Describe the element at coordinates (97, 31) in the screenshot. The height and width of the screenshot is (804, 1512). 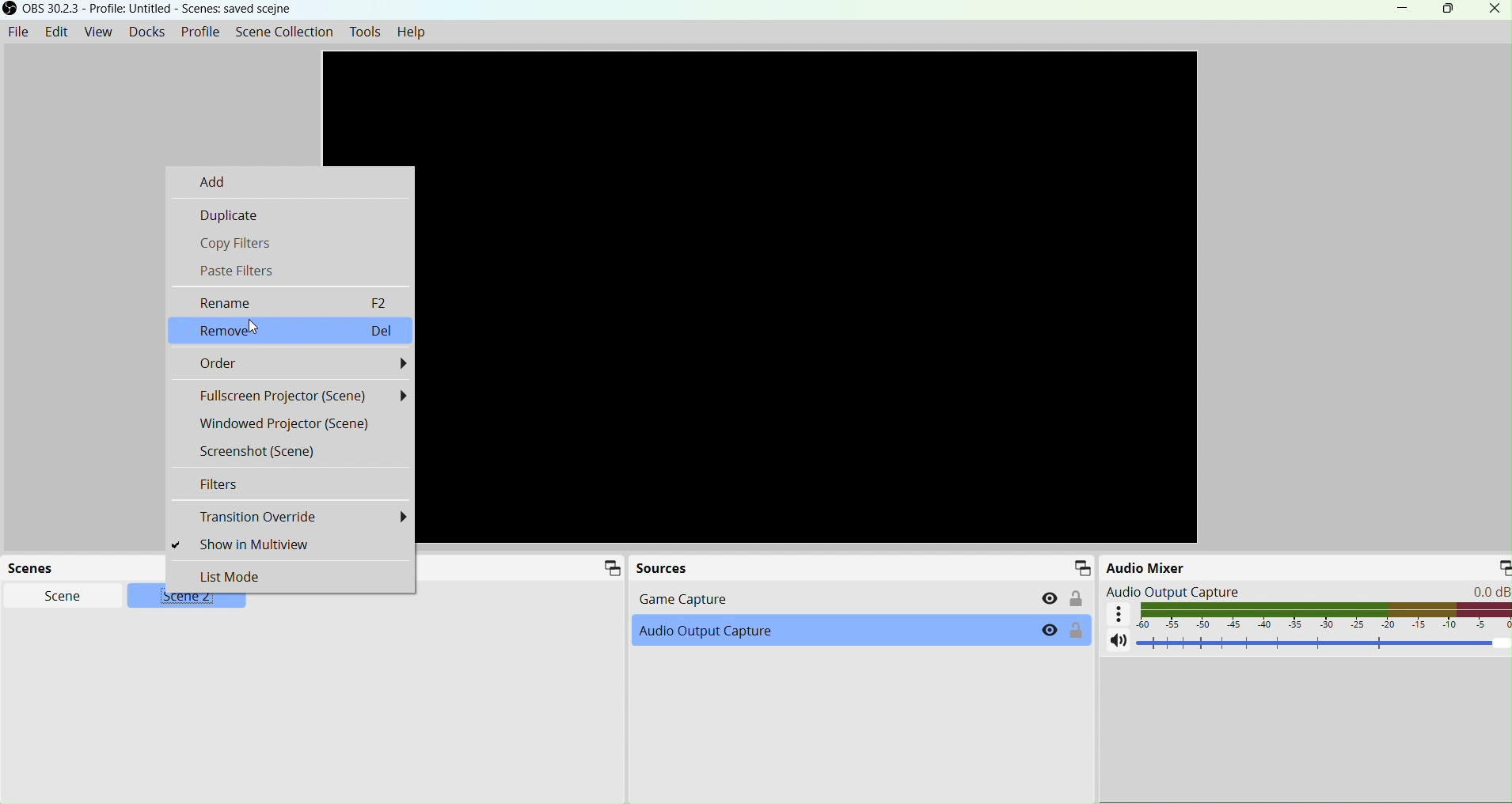
I see `View` at that location.